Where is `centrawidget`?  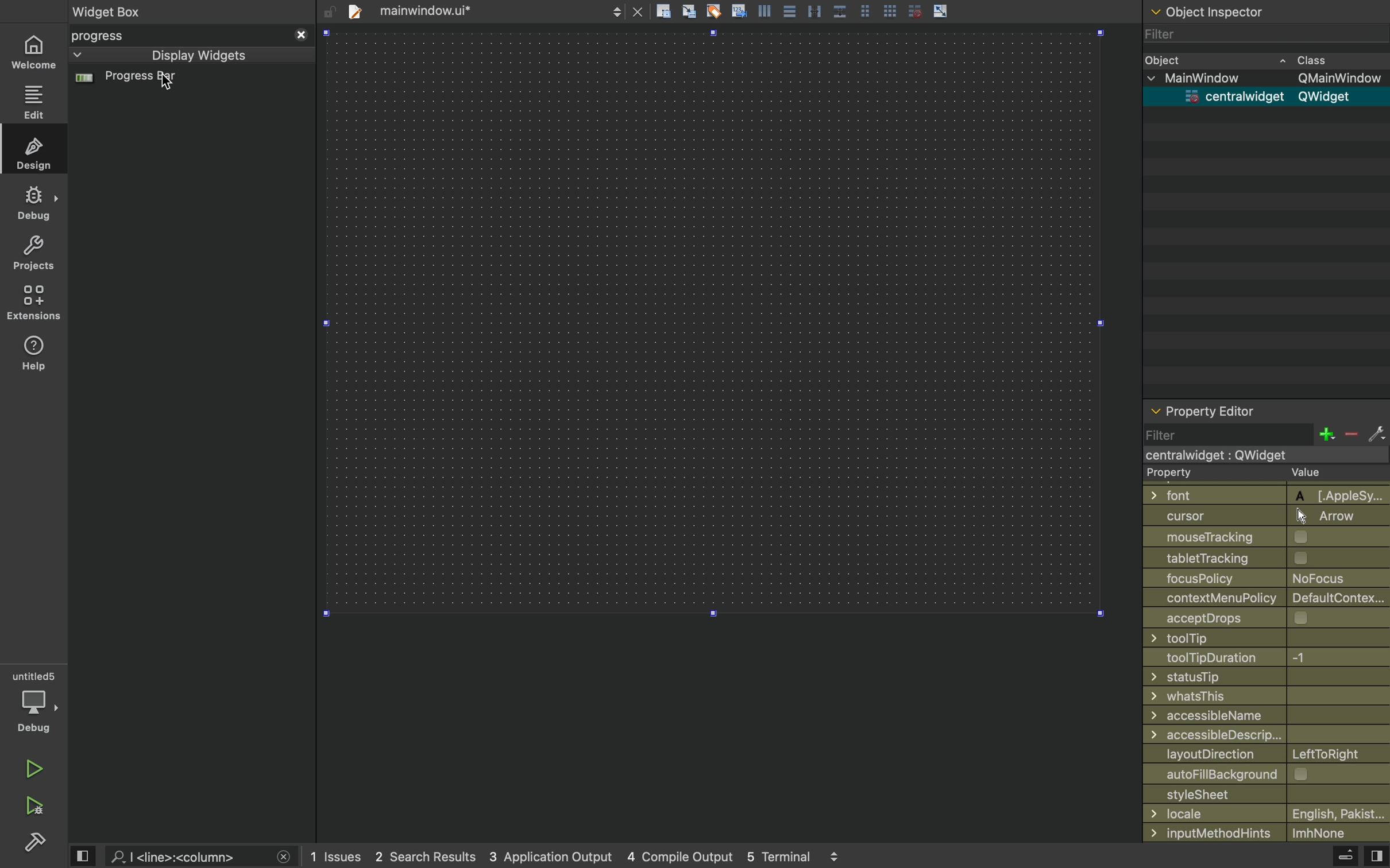
centrawidget is located at coordinates (1260, 455).